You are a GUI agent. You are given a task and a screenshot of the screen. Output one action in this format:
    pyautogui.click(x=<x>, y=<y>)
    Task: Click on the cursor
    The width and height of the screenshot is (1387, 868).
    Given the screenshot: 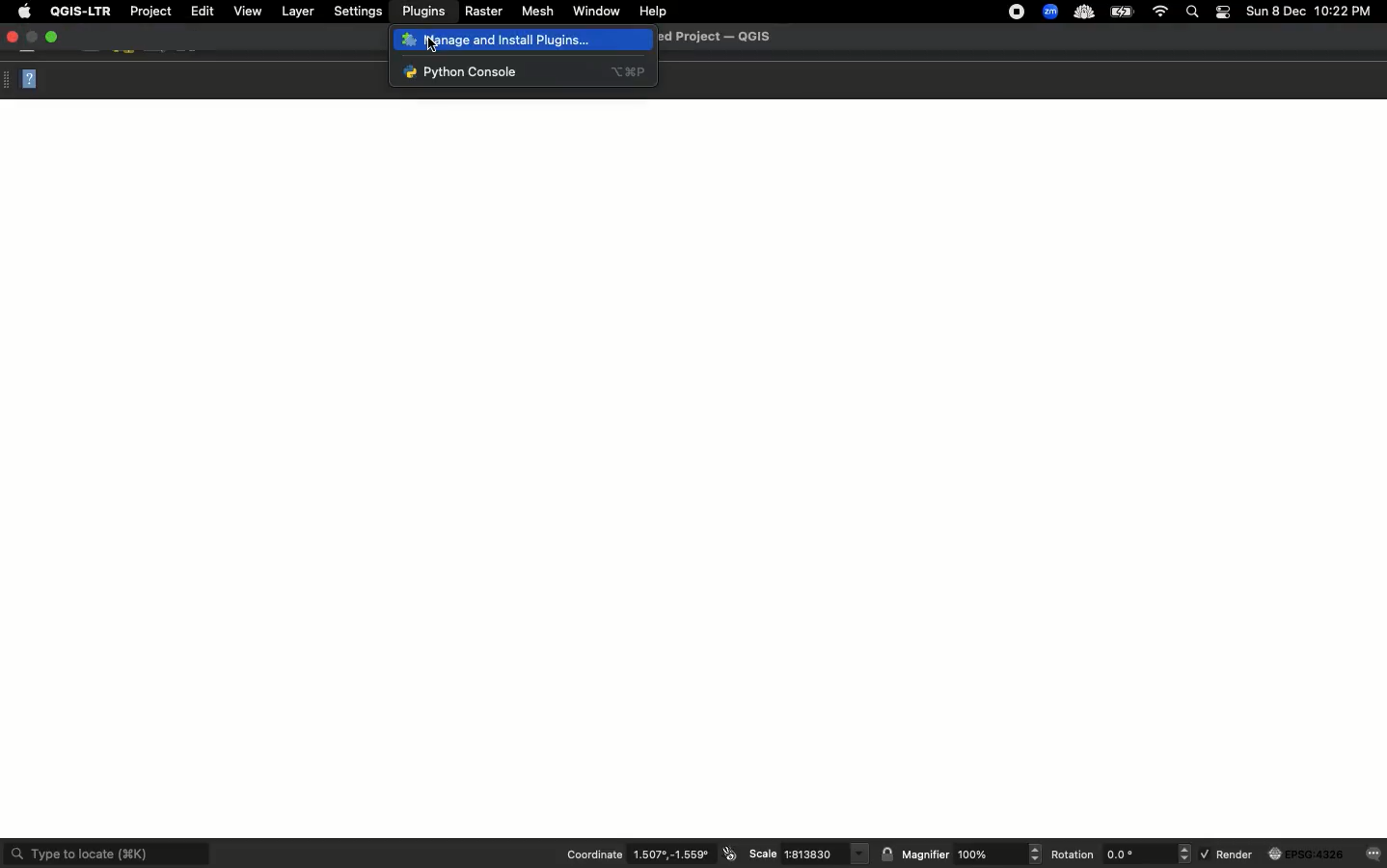 What is the action you would take?
    pyautogui.click(x=433, y=43)
    